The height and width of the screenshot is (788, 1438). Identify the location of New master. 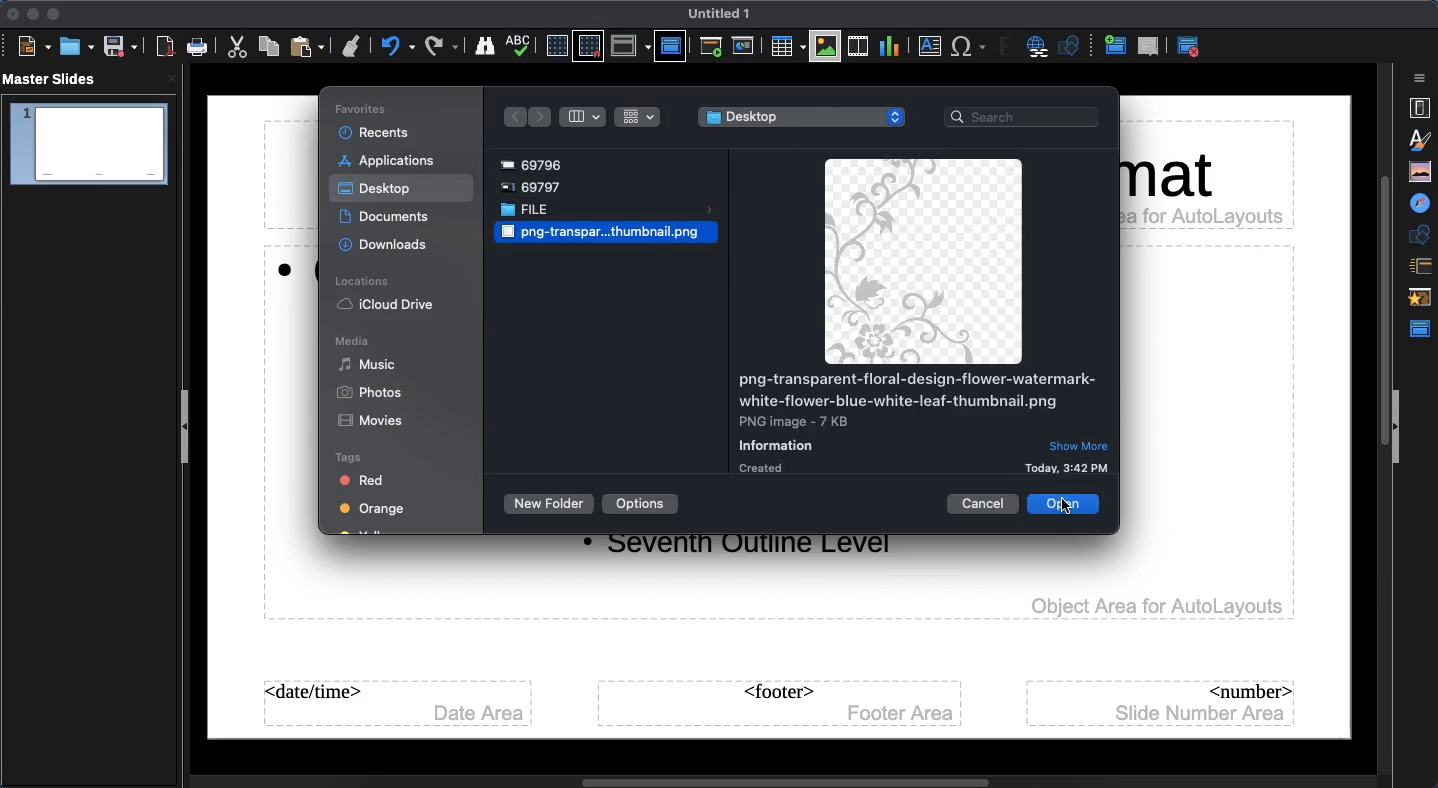
(1113, 47).